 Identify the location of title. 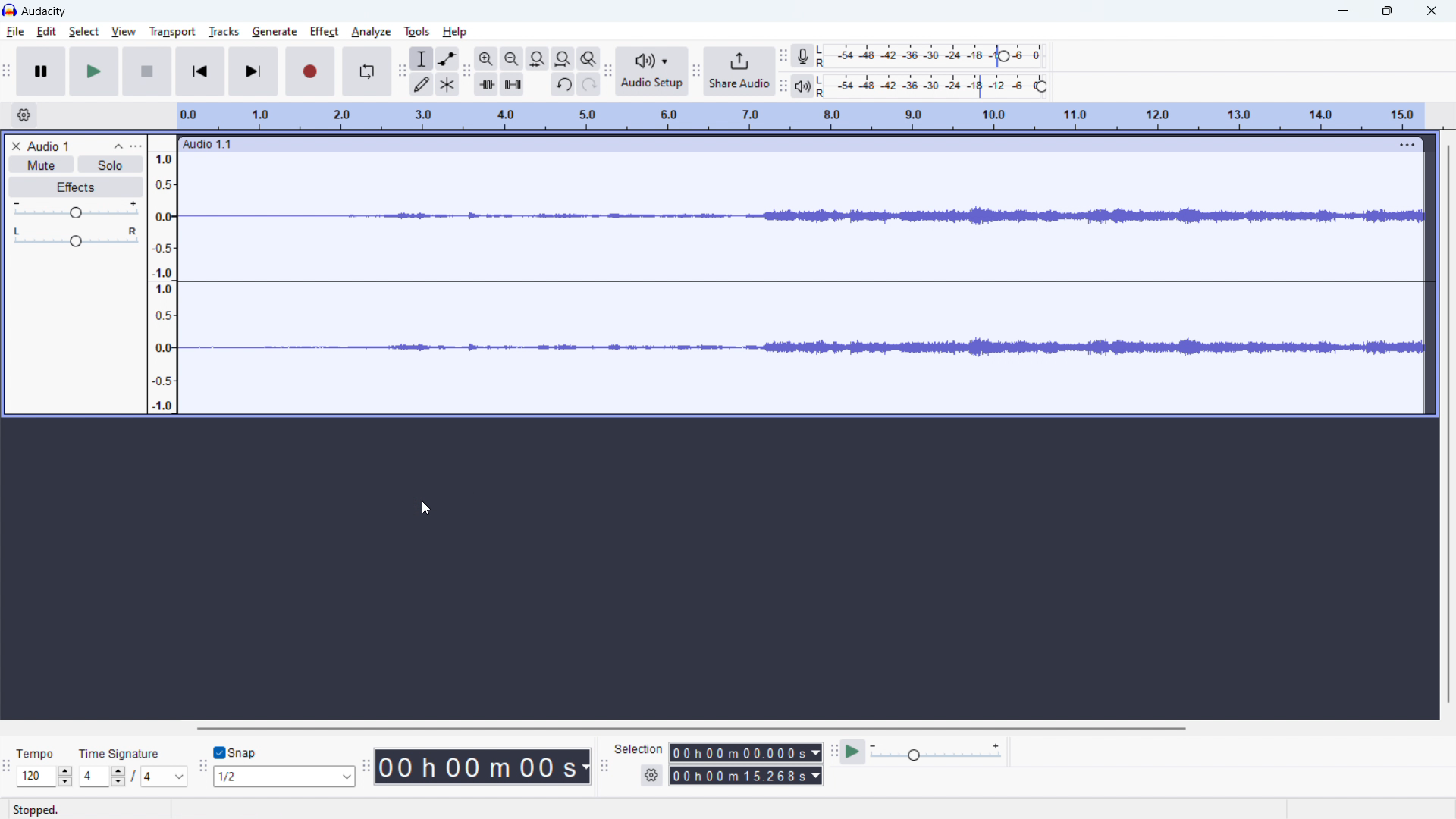
(45, 11).